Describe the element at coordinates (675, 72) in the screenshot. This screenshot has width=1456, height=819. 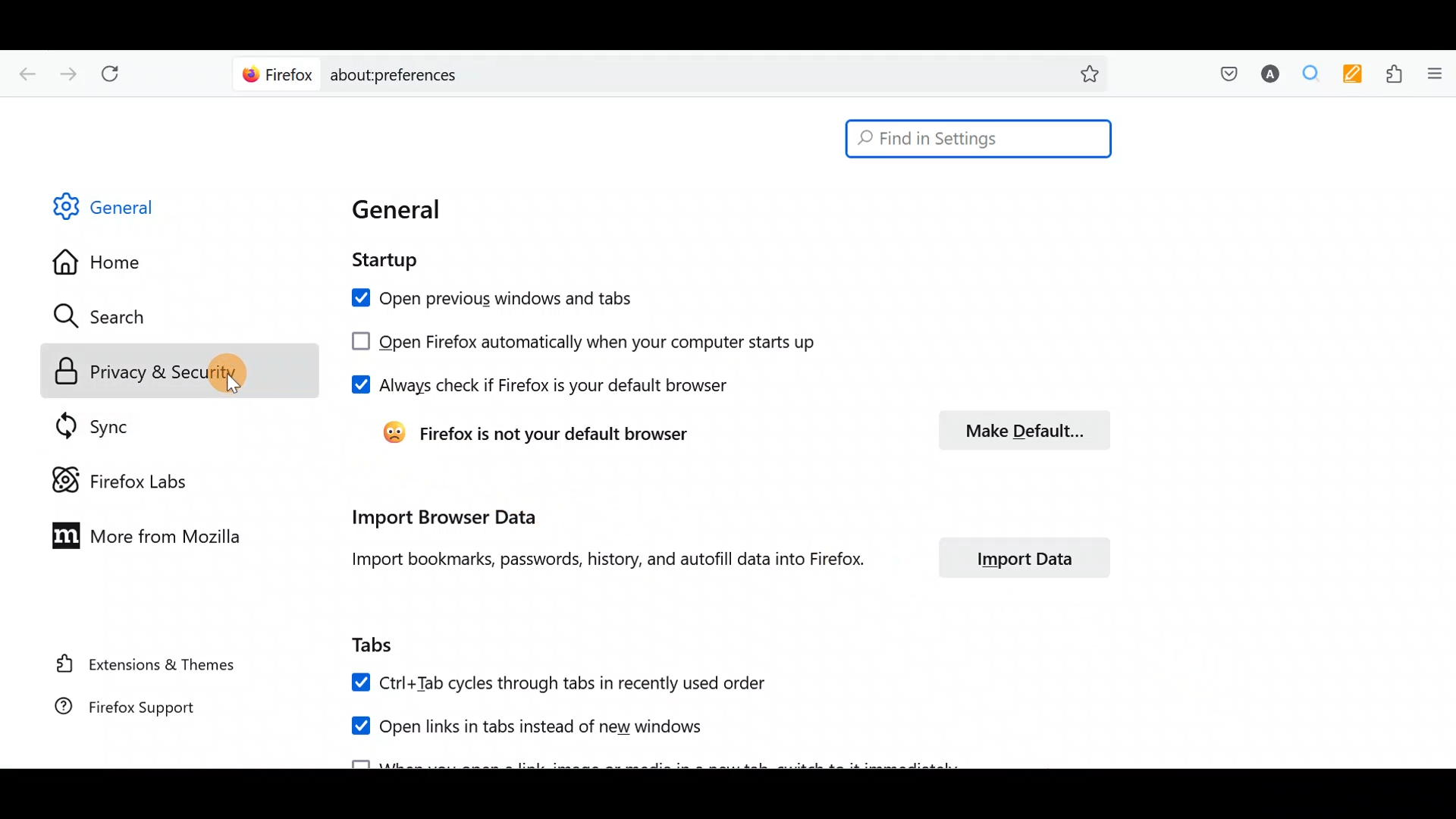
I see `Search bar` at that location.